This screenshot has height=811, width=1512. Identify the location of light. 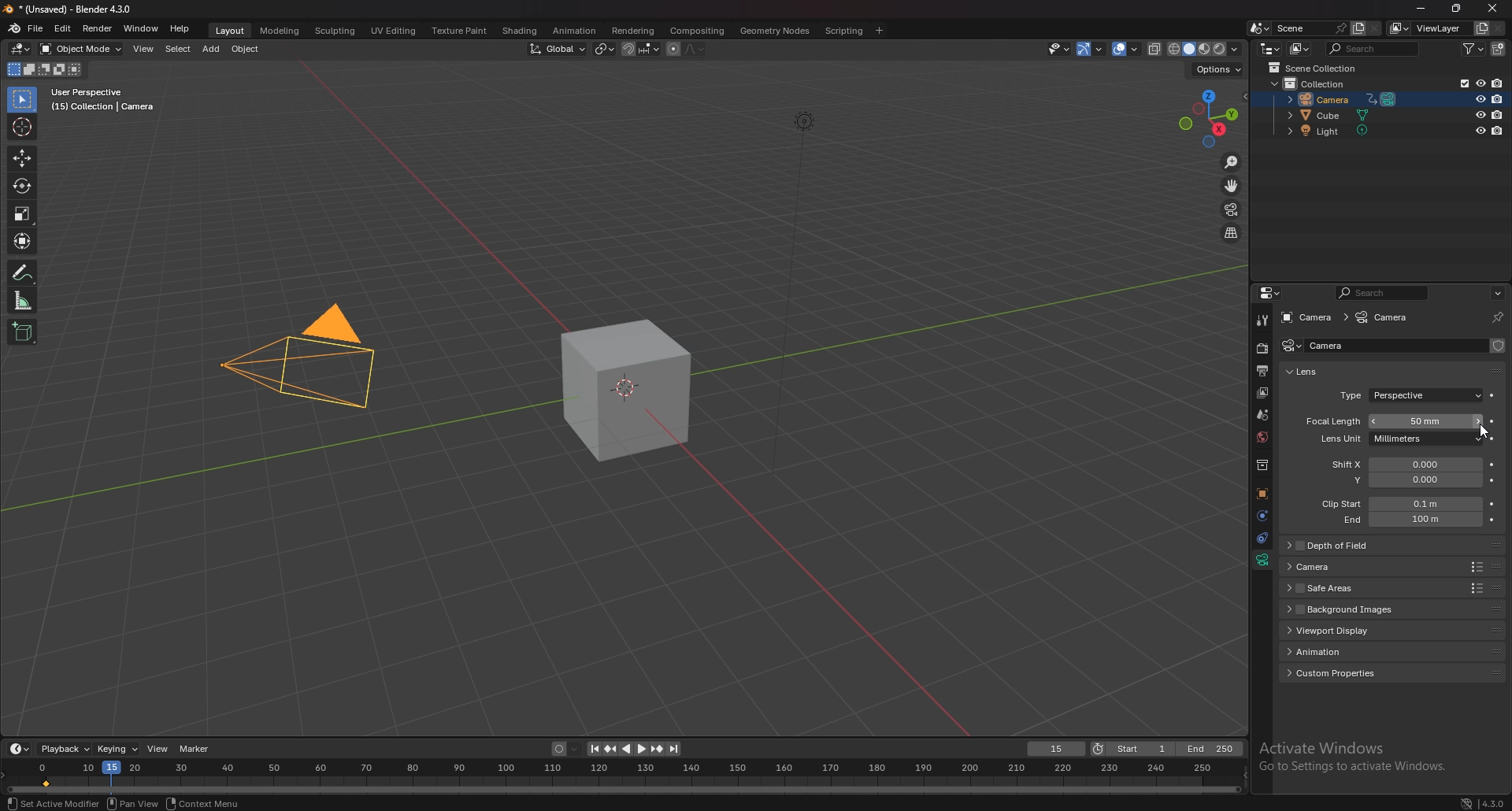
(1333, 132).